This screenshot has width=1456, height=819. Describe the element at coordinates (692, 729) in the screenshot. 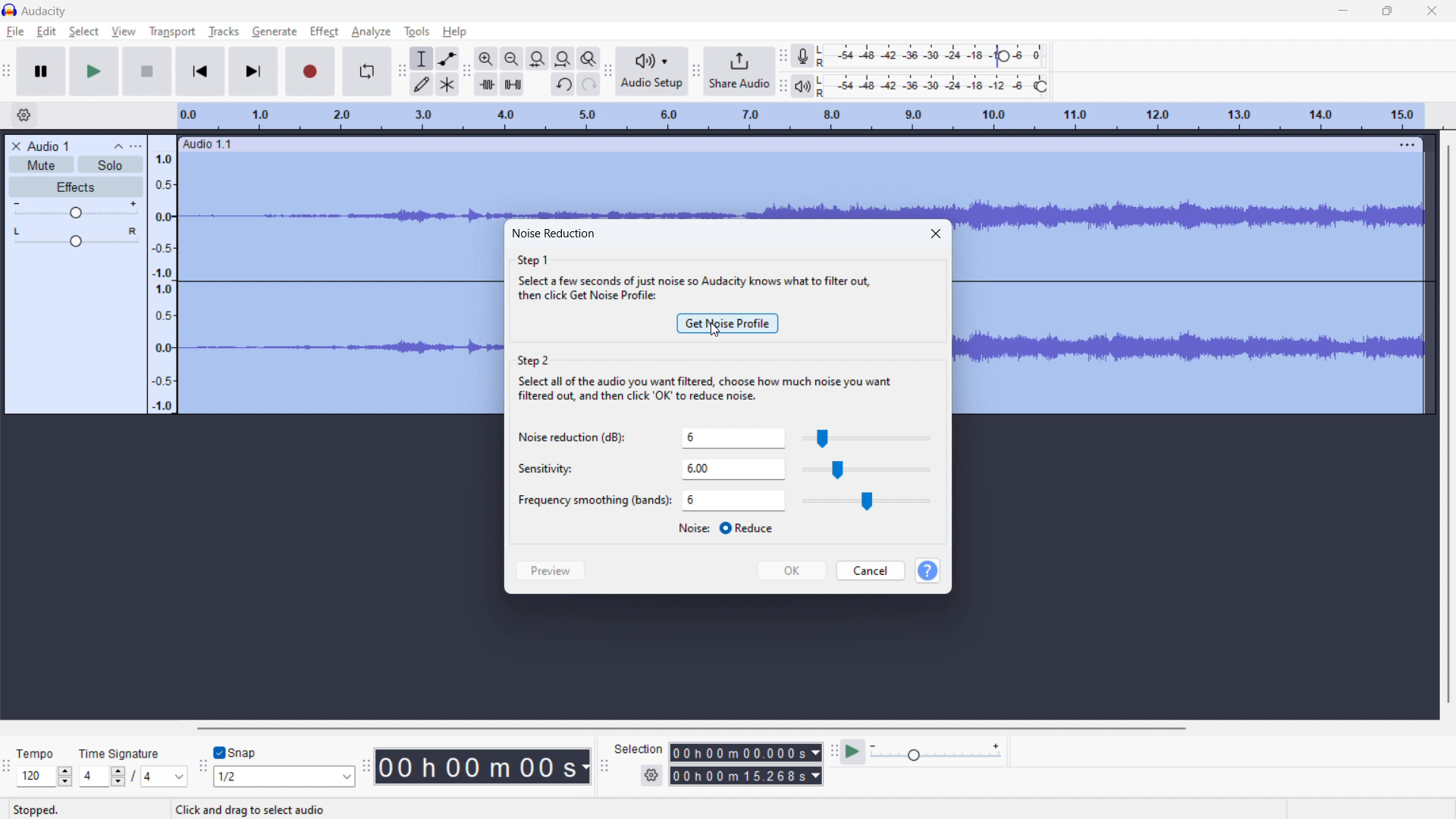

I see `horizontal scrollbar` at that location.